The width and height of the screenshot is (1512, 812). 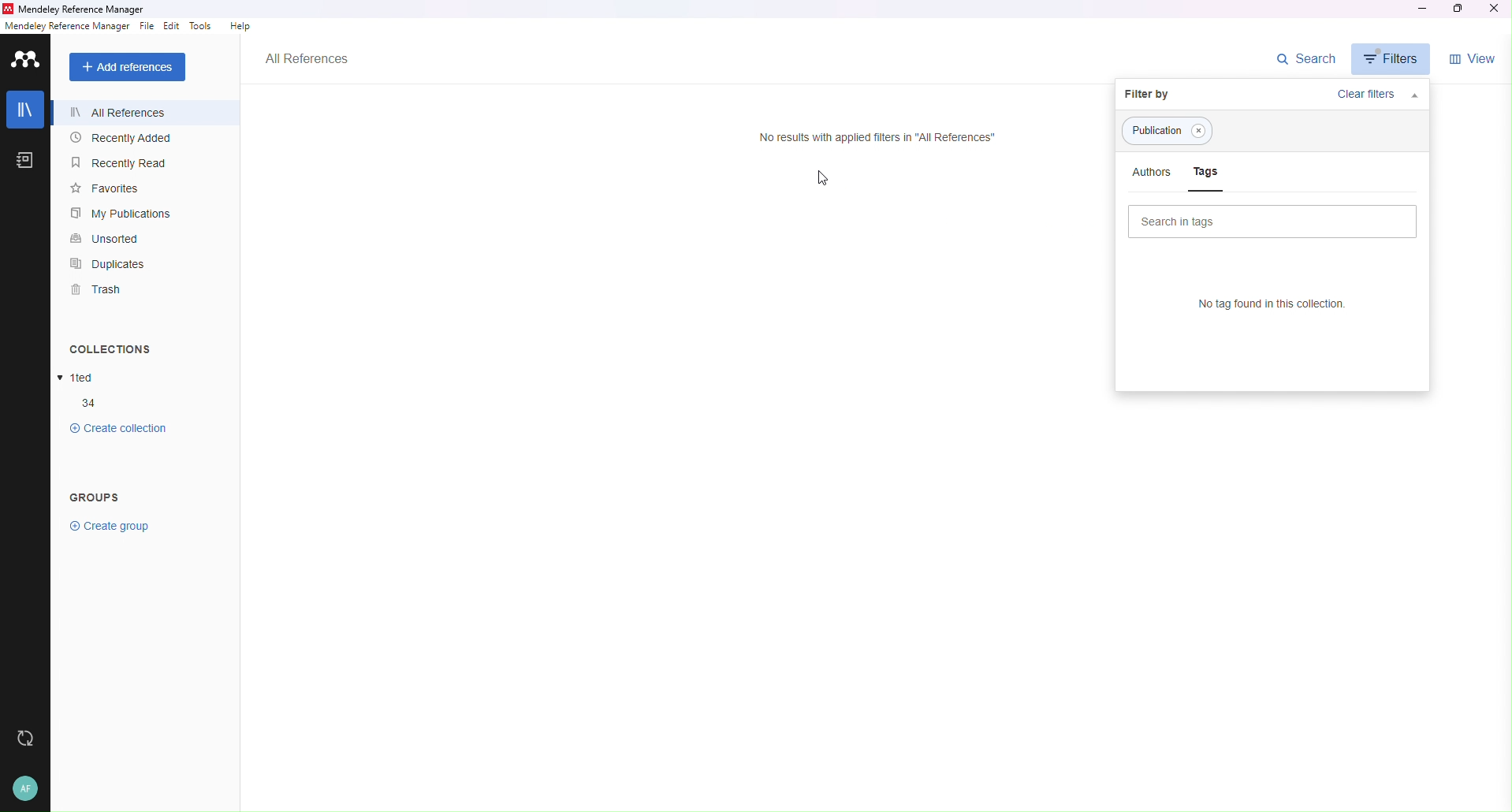 I want to click on Authors, so click(x=1150, y=173).